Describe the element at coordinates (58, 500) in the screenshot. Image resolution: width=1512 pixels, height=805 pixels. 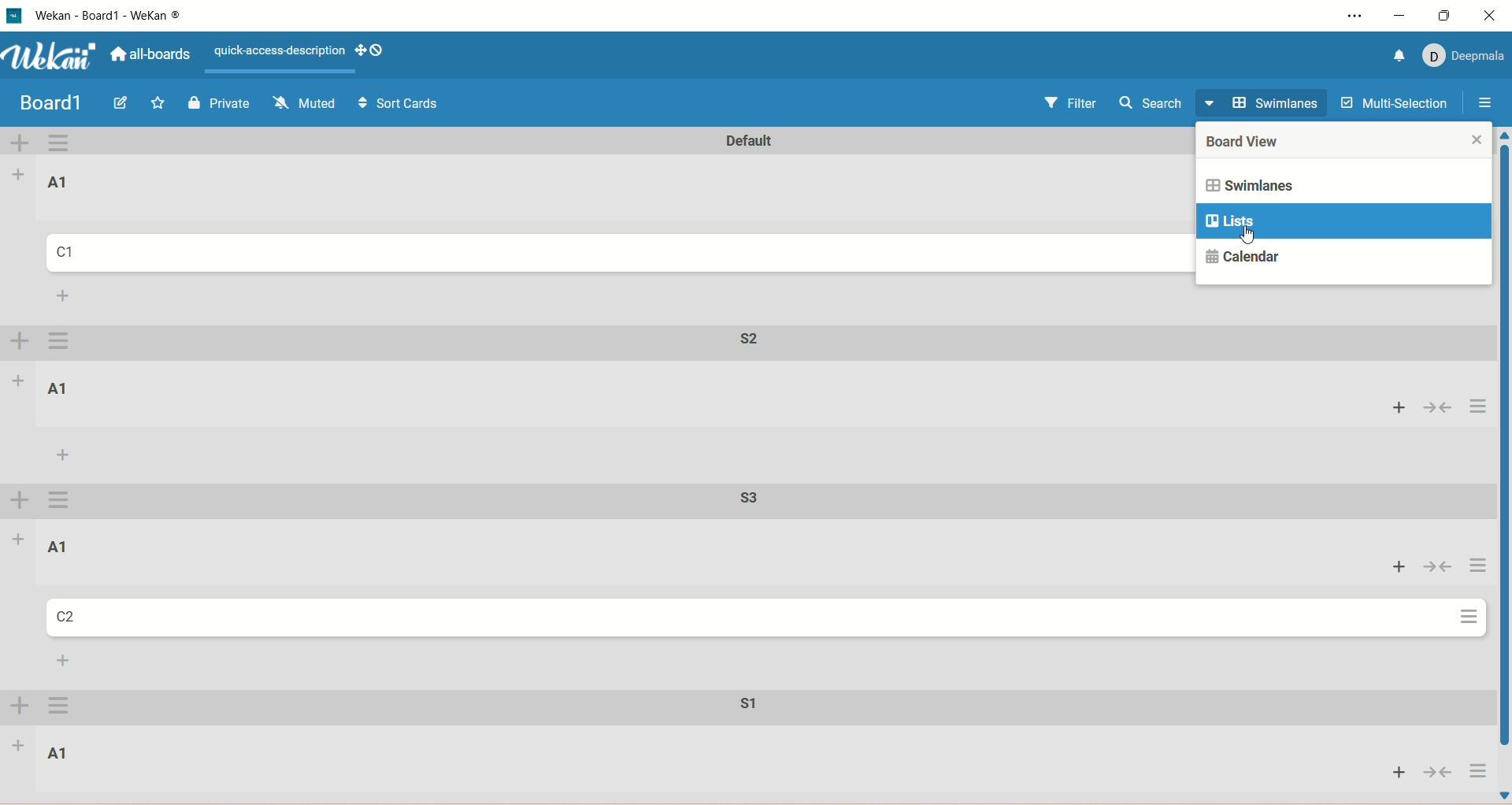
I see `swimlane actions` at that location.